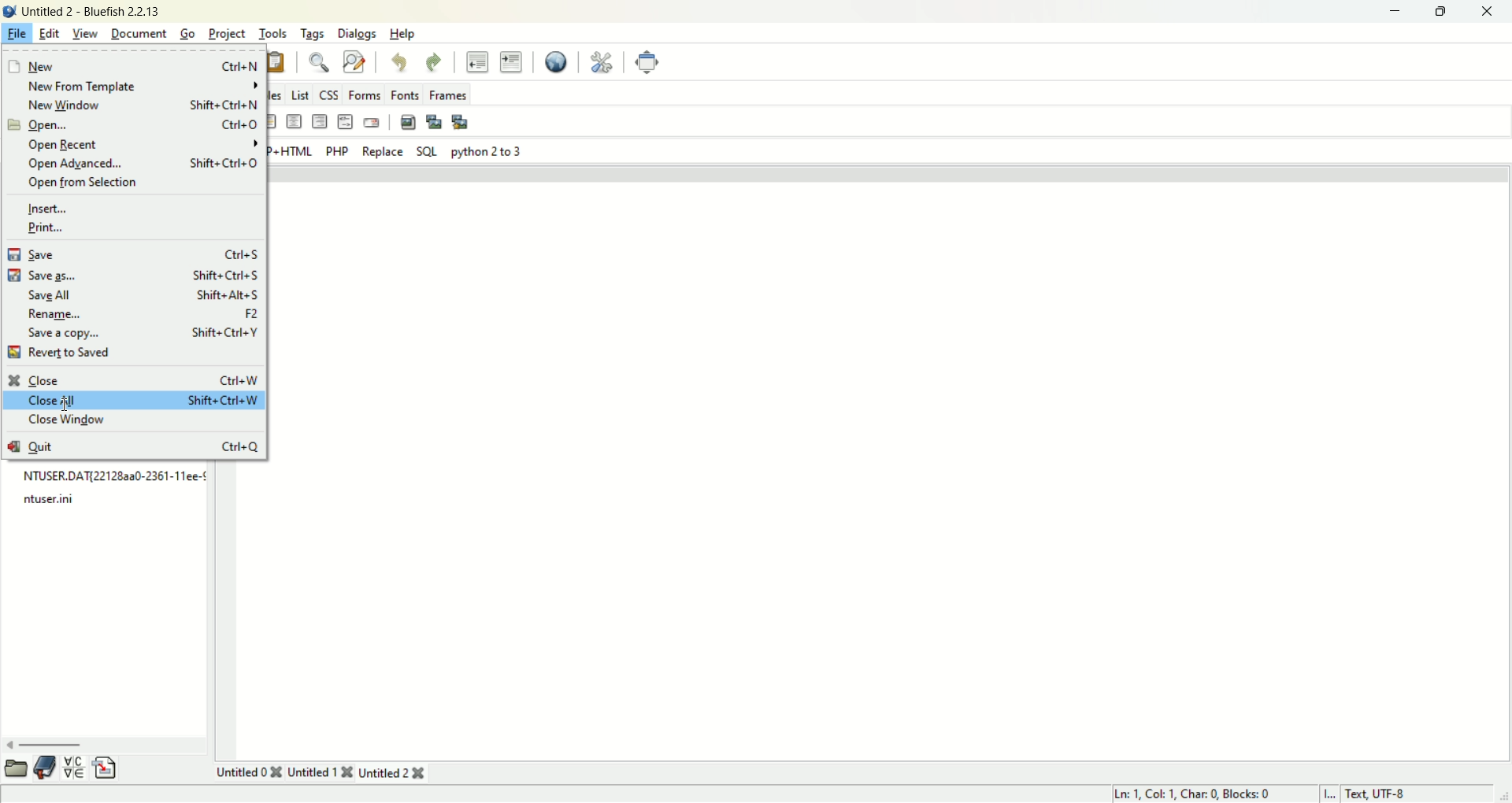 This screenshot has height=803, width=1512. Describe the element at coordinates (426, 151) in the screenshot. I see `SQL` at that location.